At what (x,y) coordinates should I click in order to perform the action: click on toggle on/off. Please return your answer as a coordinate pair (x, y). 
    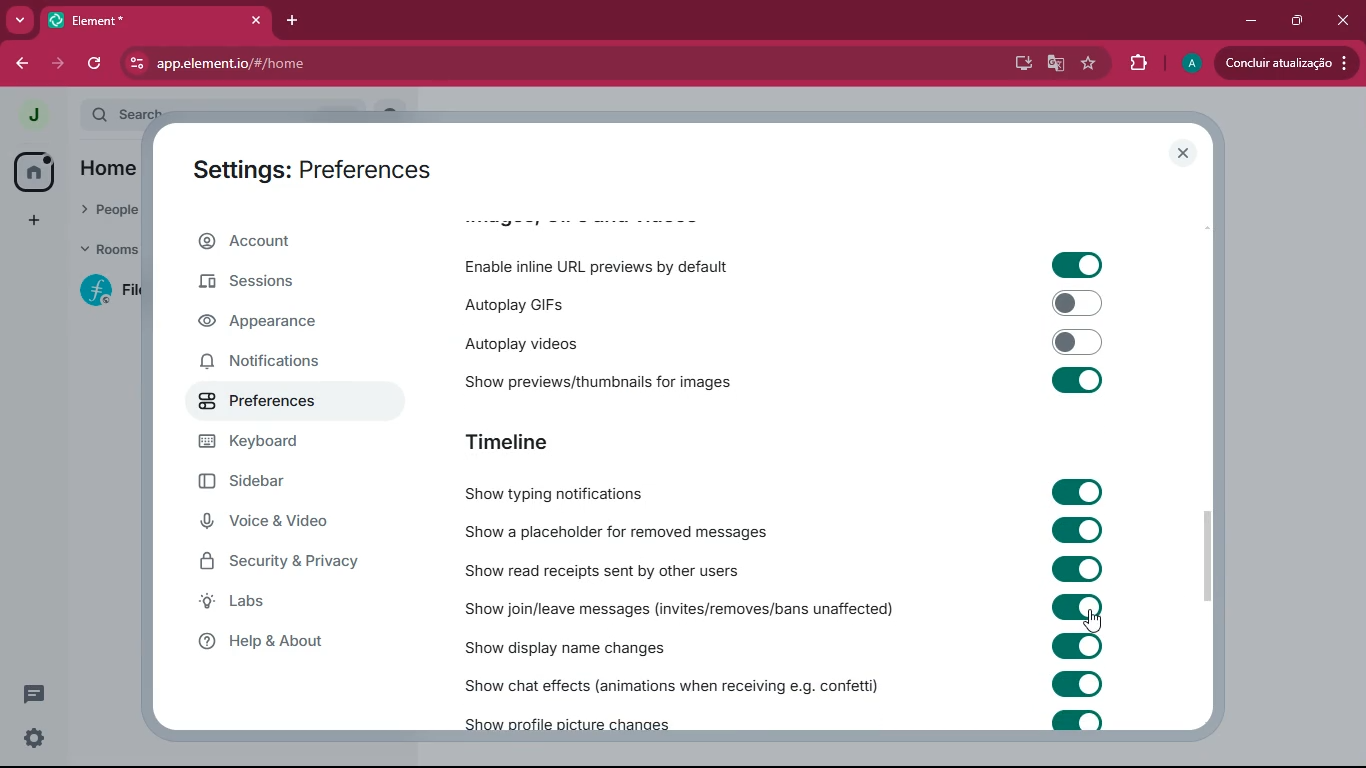
    Looking at the image, I should click on (1077, 568).